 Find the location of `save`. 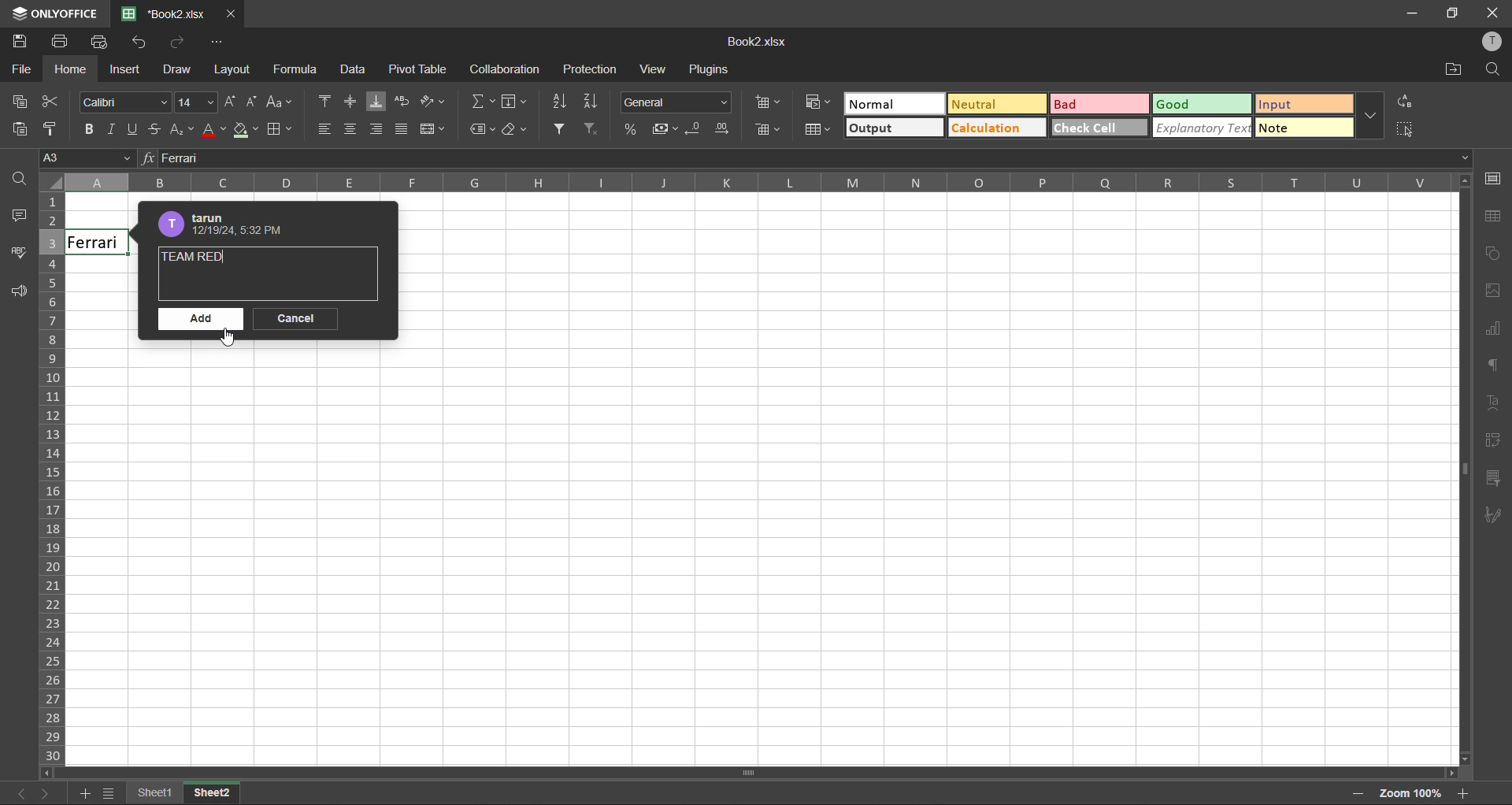

save is located at coordinates (20, 42).